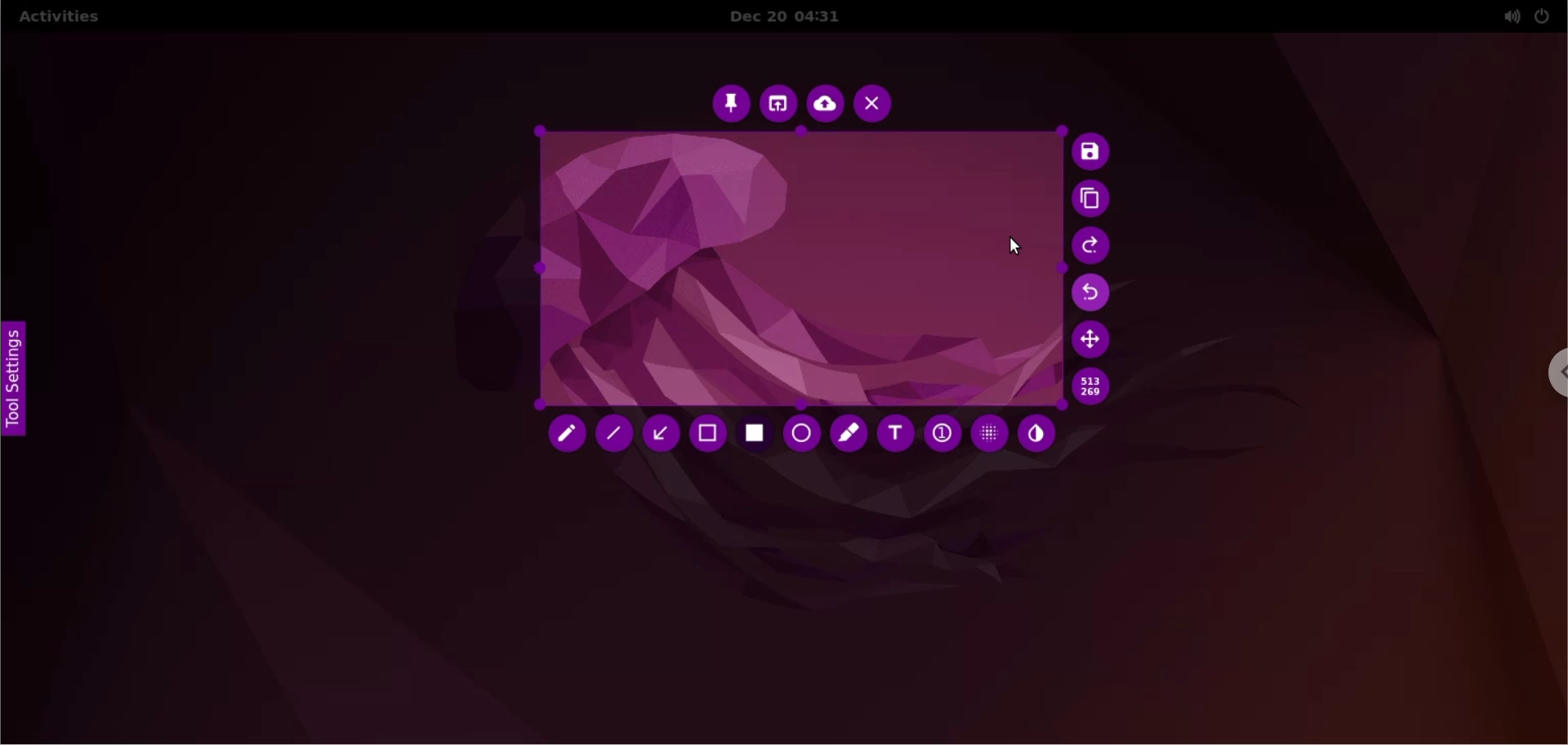 Image resolution: width=1568 pixels, height=745 pixels. Describe the element at coordinates (65, 16) in the screenshot. I see `activities` at that location.